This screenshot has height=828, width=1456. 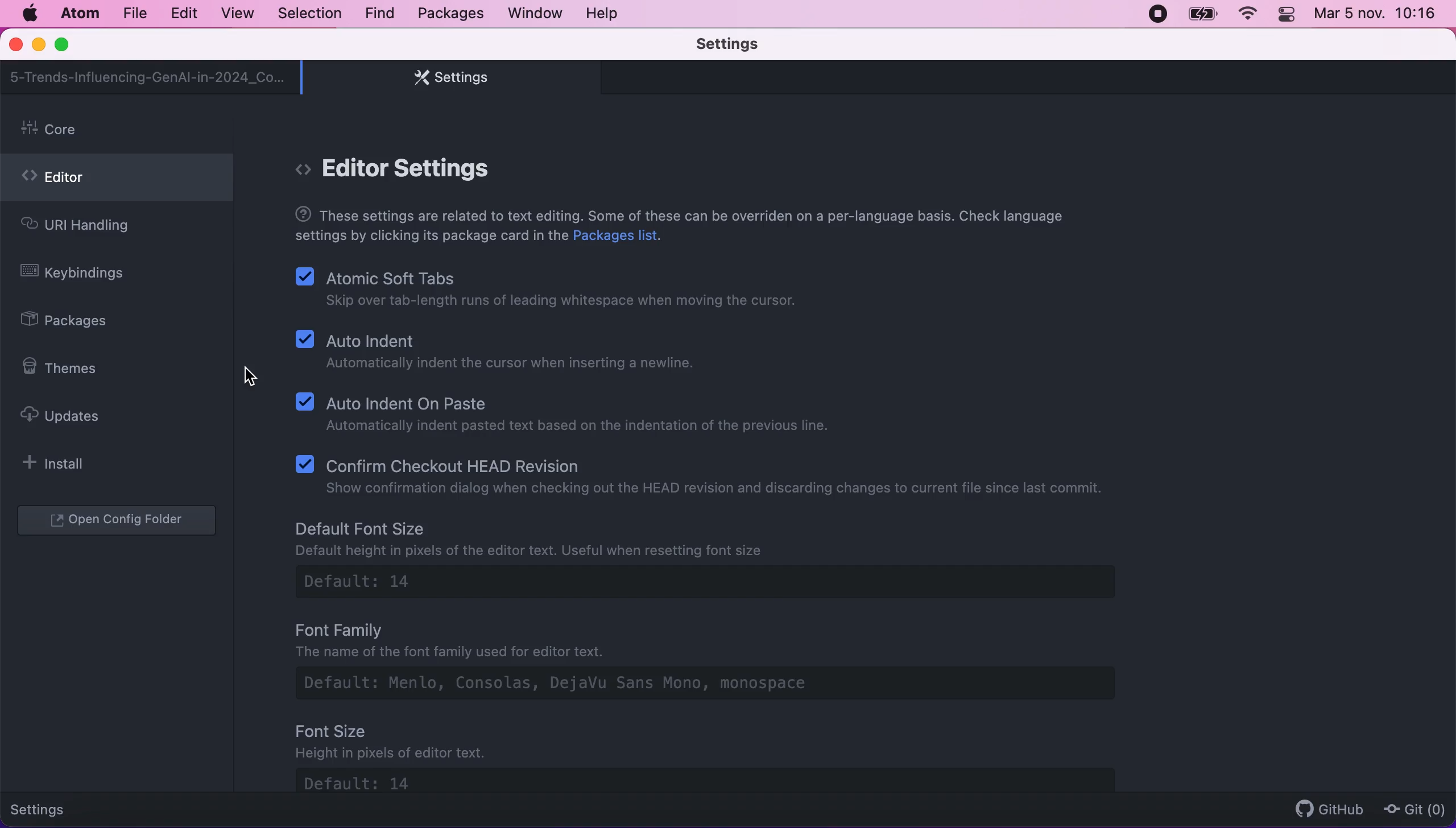 I want to click on settings, so click(x=47, y=808).